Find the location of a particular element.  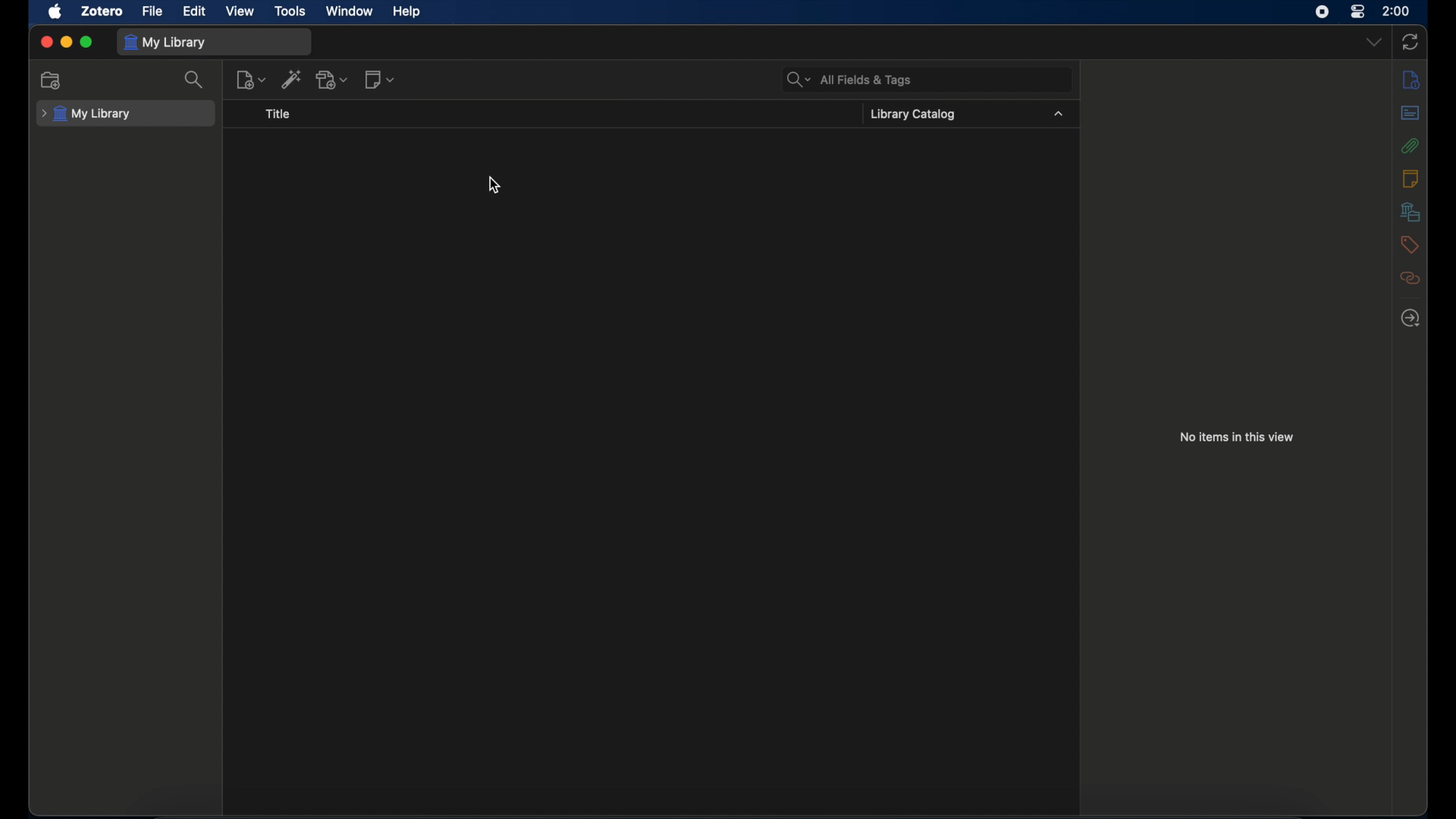

title is located at coordinates (278, 115).